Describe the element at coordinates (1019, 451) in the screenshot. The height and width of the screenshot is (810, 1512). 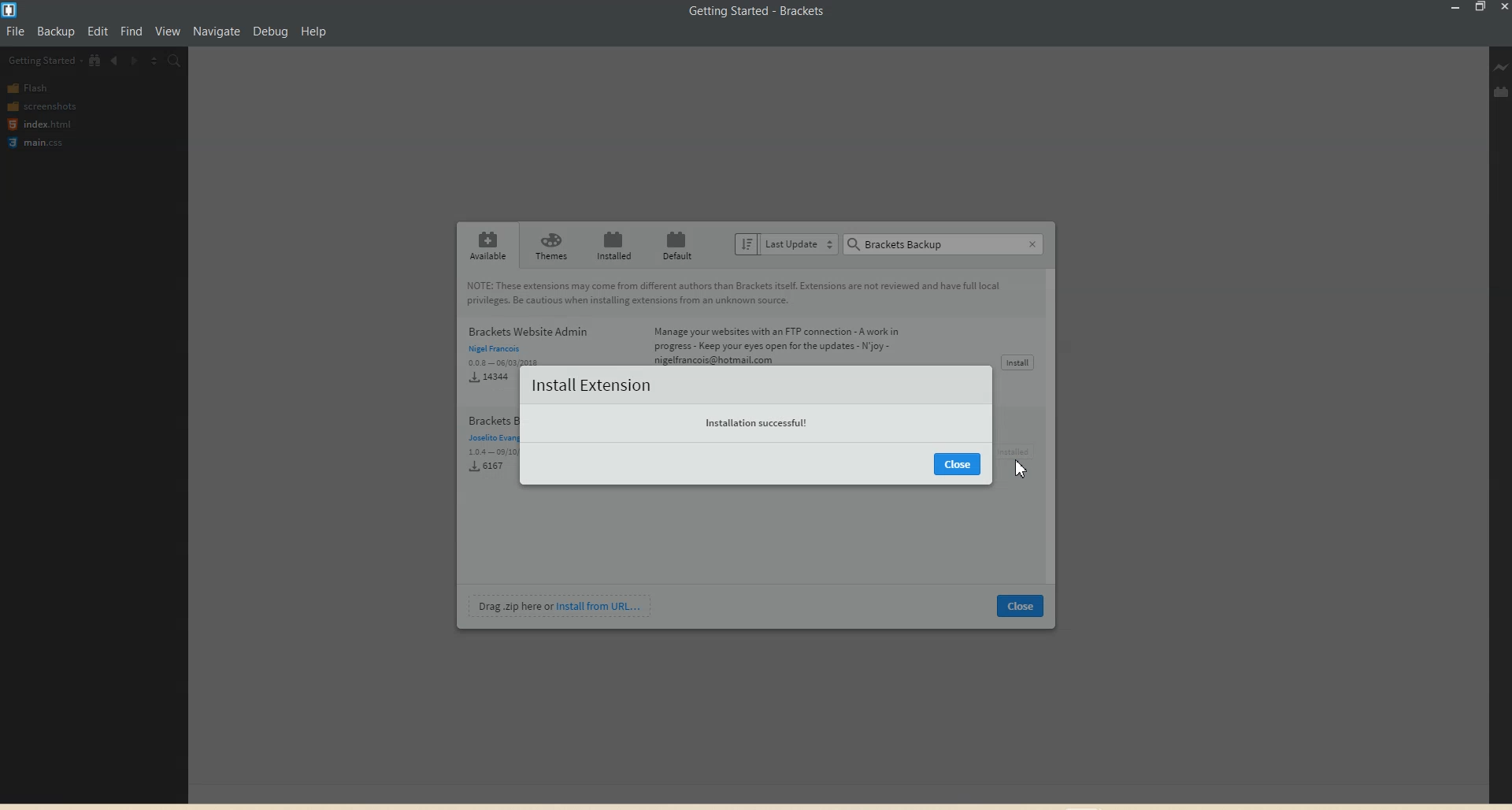
I see `Install` at that location.